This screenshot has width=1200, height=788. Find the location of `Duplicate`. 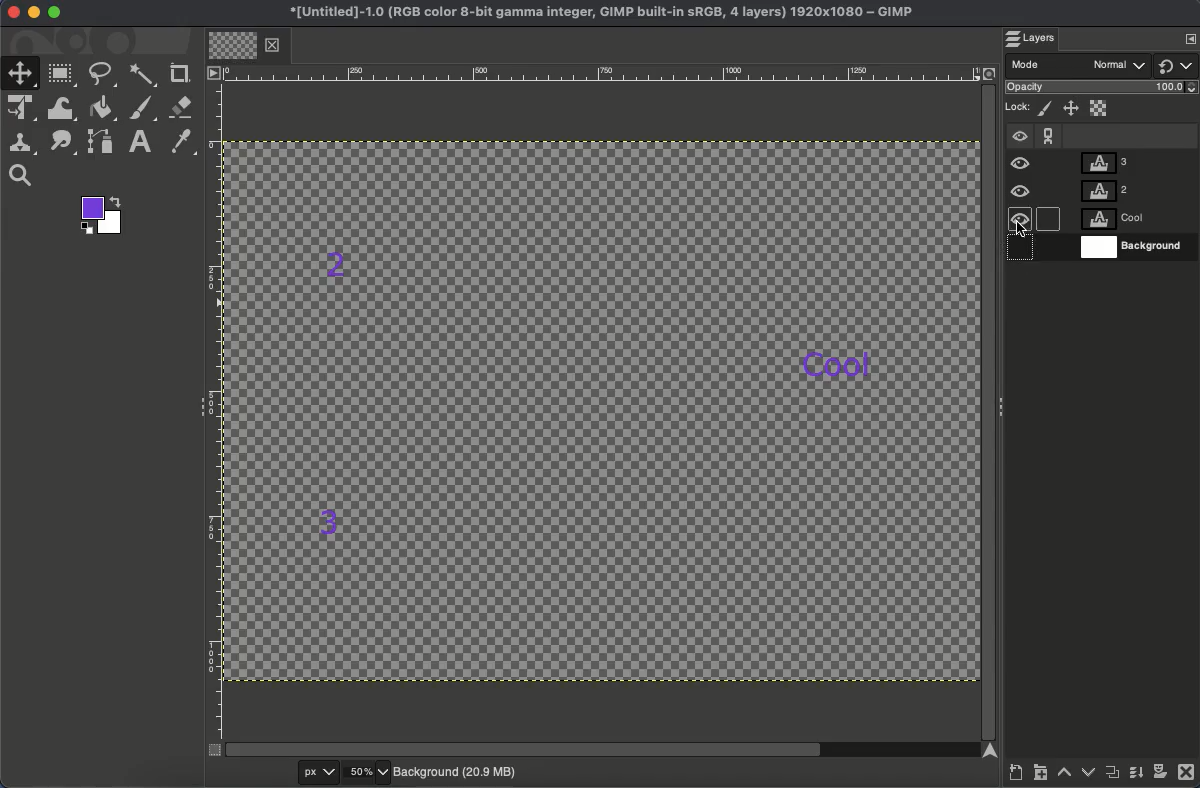

Duplicate is located at coordinates (1113, 776).